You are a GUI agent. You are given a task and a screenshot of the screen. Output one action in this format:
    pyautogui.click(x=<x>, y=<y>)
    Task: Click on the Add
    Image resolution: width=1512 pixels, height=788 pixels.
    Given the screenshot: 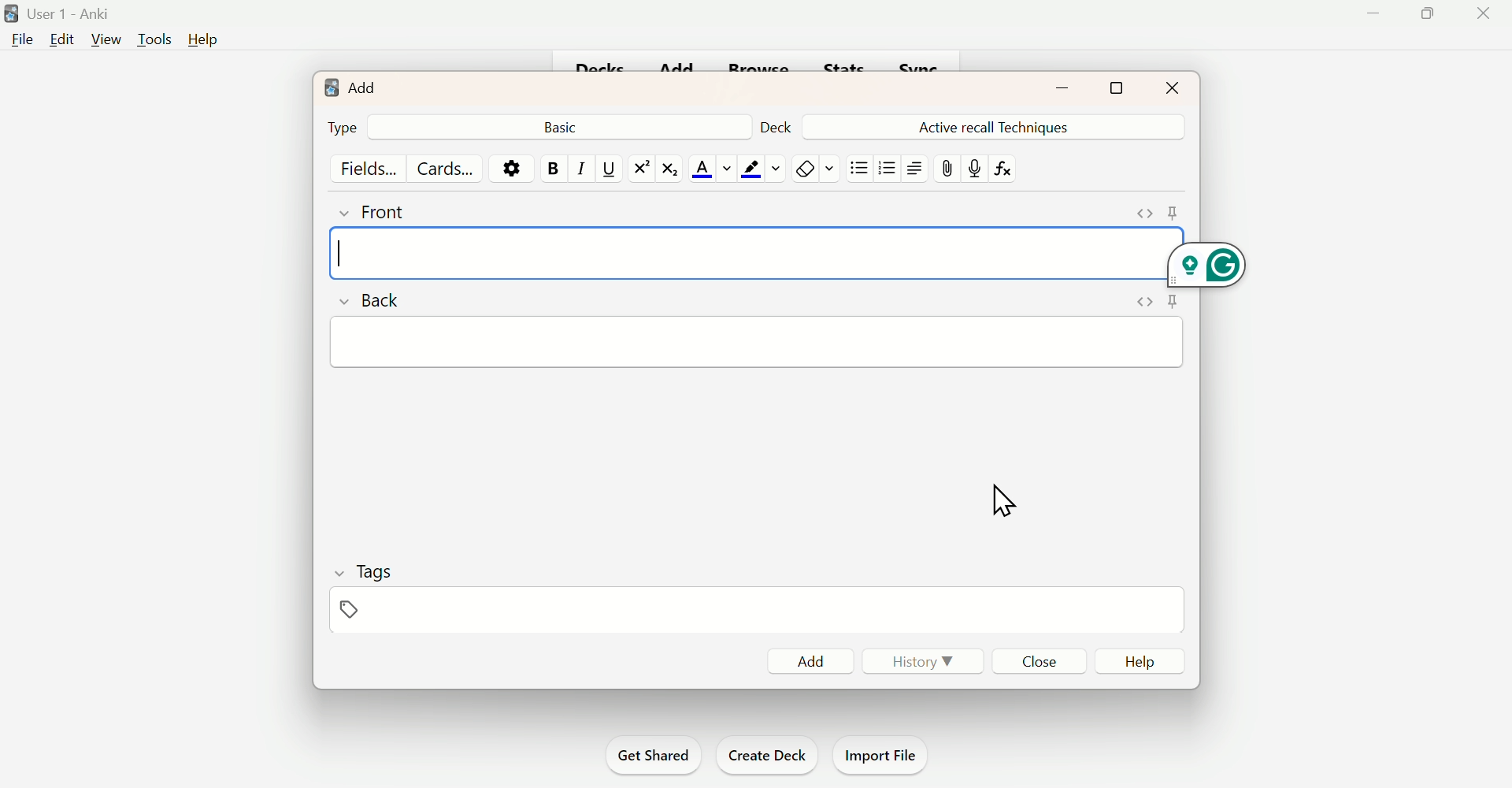 What is the action you would take?
    pyautogui.click(x=362, y=87)
    